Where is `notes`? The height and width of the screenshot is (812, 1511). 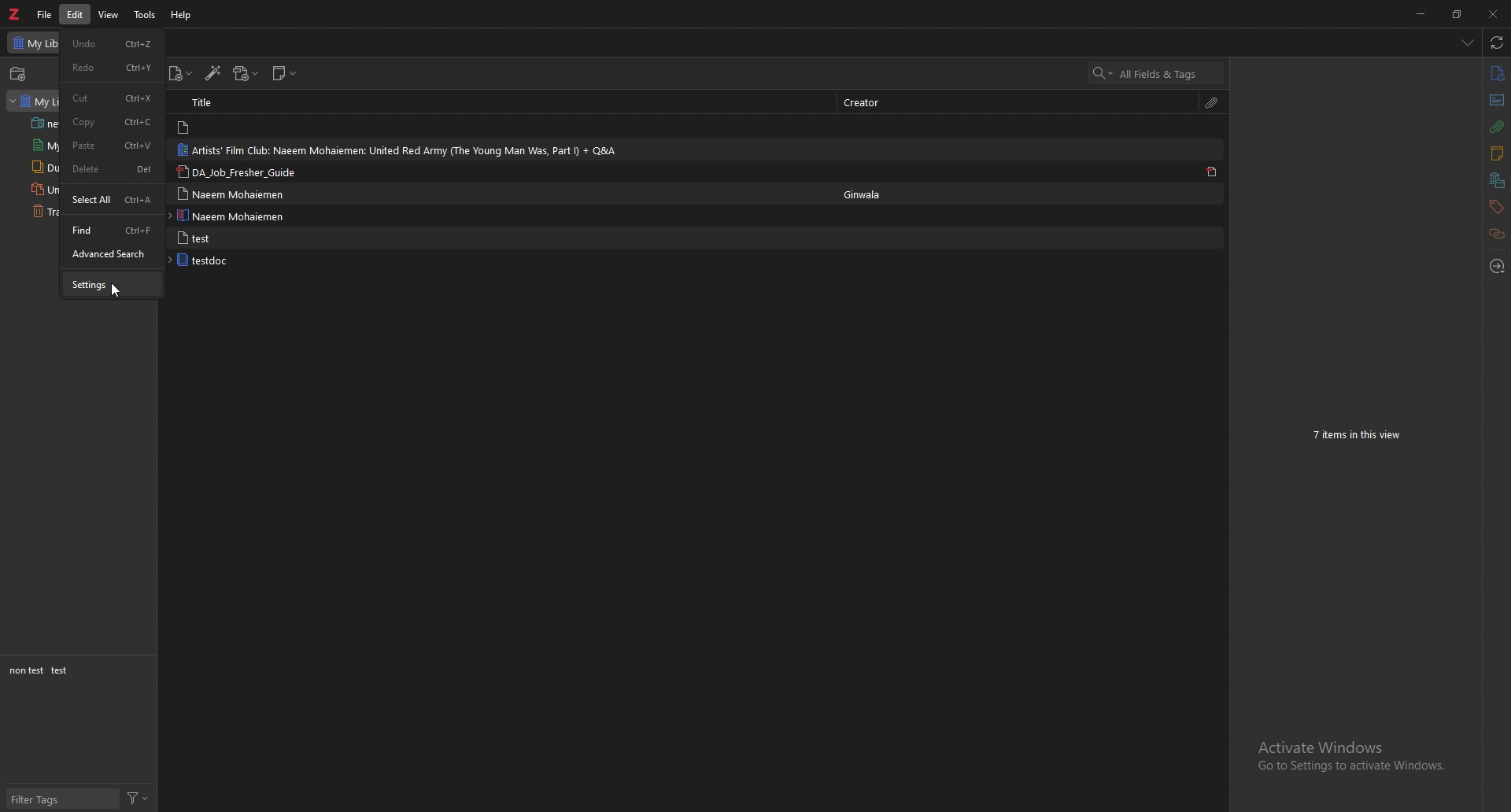
notes is located at coordinates (1495, 153).